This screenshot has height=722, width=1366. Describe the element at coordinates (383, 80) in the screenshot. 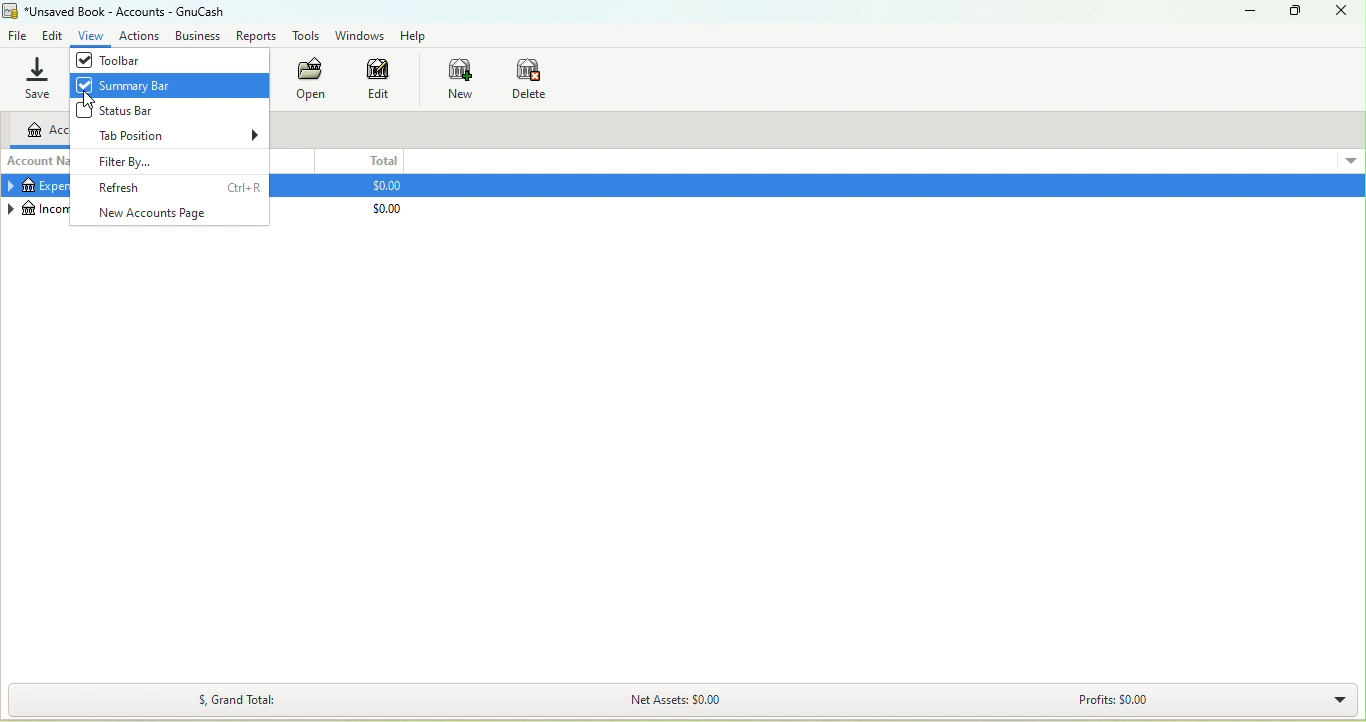

I see `Edit` at that location.